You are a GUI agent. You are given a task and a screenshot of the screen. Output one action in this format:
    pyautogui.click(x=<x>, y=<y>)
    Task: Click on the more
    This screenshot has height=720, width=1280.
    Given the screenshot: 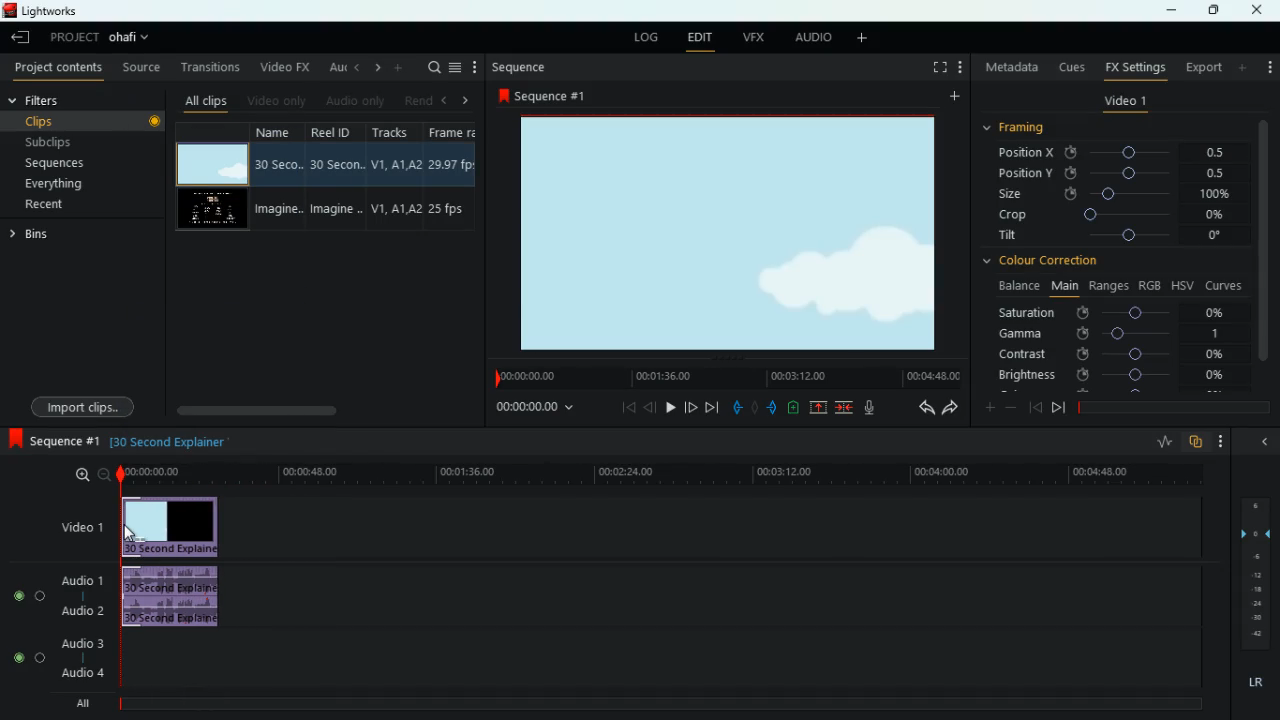 What is the action you would take?
    pyautogui.click(x=988, y=407)
    